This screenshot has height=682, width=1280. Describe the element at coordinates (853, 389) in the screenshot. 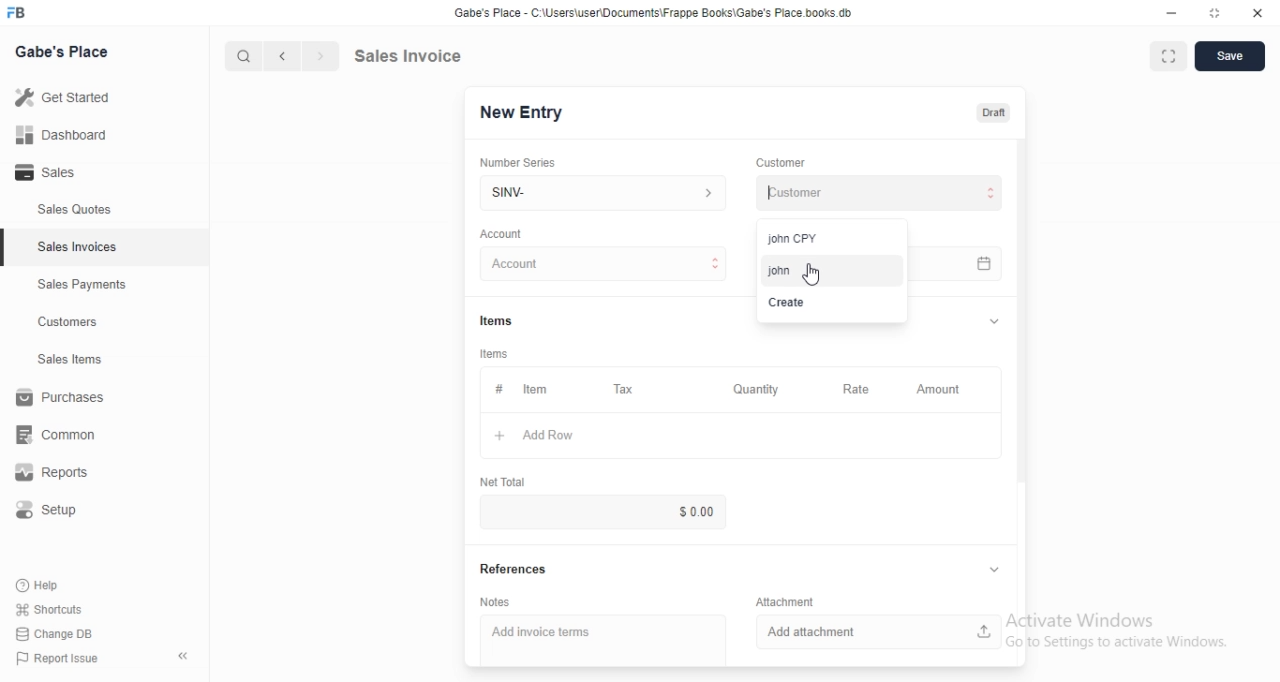

I see `Rate` at that location.